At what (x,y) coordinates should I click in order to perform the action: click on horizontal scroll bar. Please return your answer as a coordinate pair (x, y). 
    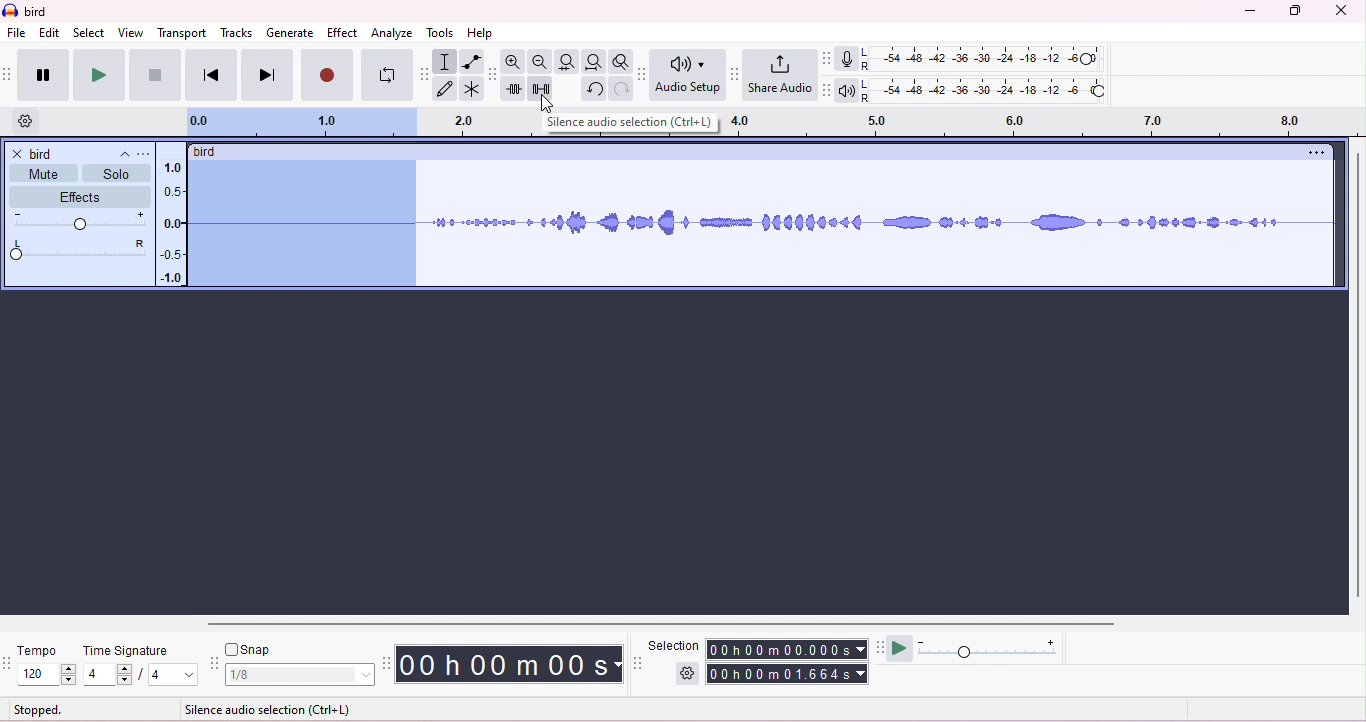
    Looking at the image, I should click on (668, 626).